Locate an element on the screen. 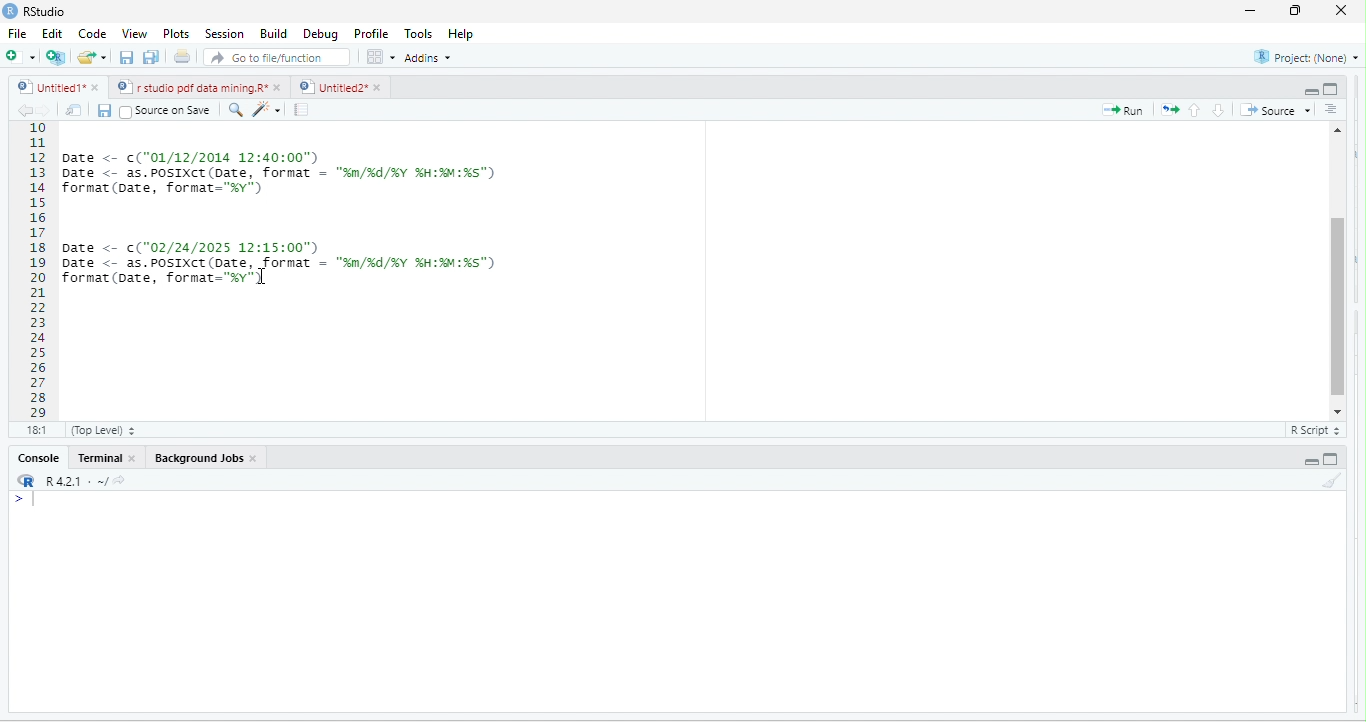 This screenshot has height=722, width=1366. go to next section/chunk is located at coordinates (1219, 110).